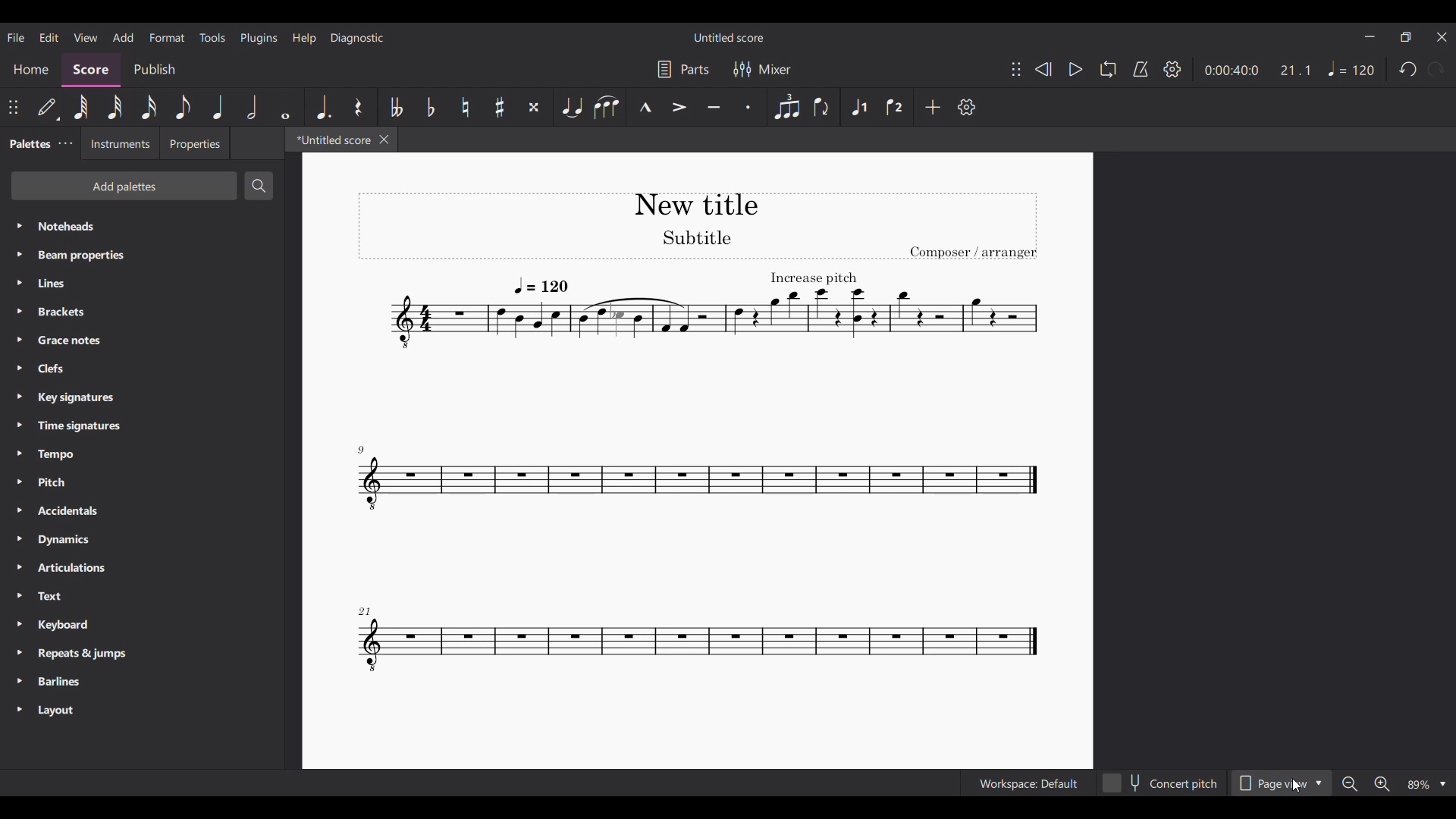 This screenshot has width=1456, height=819. What do you see at coordinates (679, 106) in the screenshot?
I see `Accent` at bounding box center [679, 106].